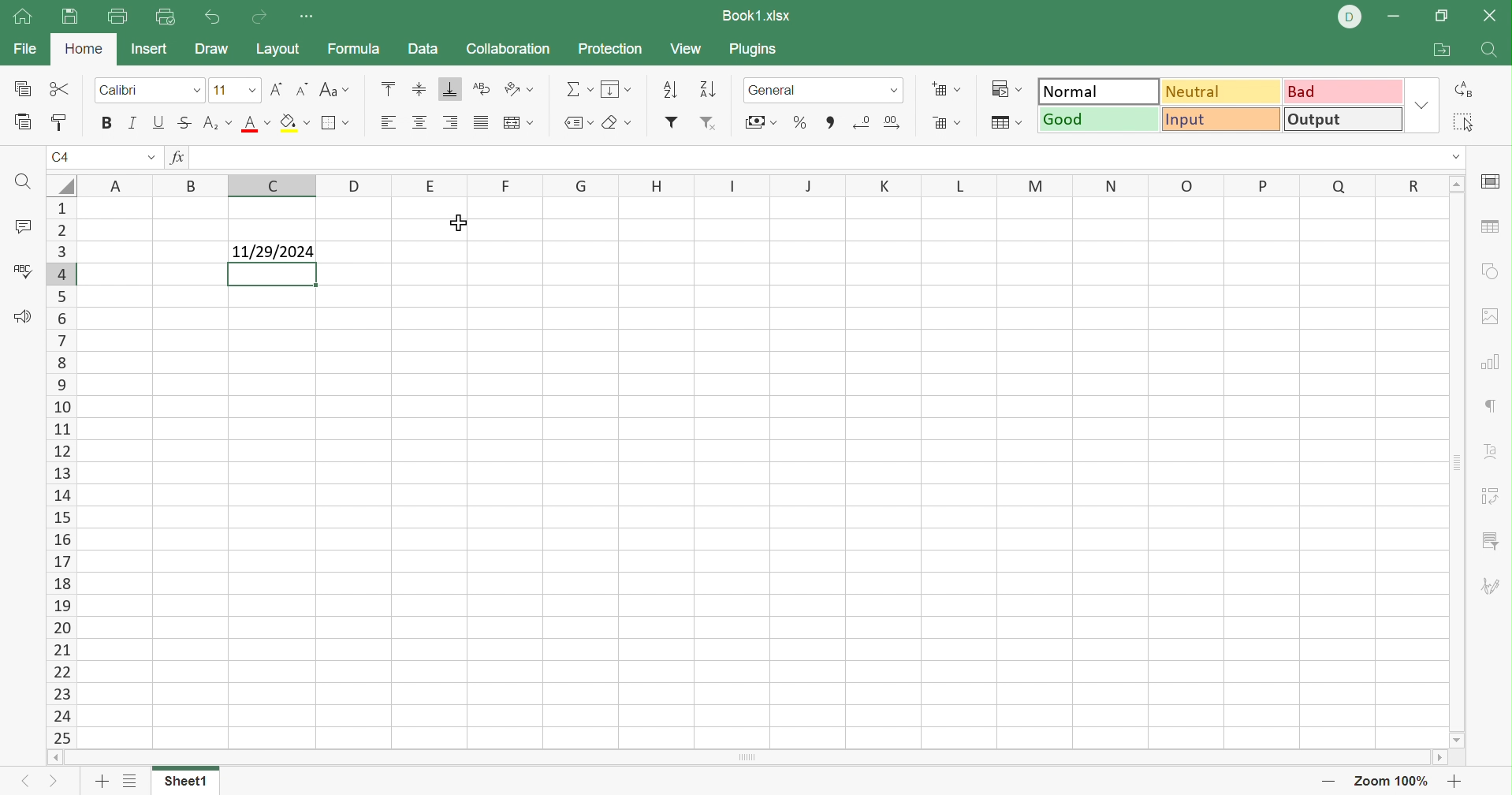 The width and height of the screenshot is (1512, 795). I want to click on Output, so click(1340, 119).